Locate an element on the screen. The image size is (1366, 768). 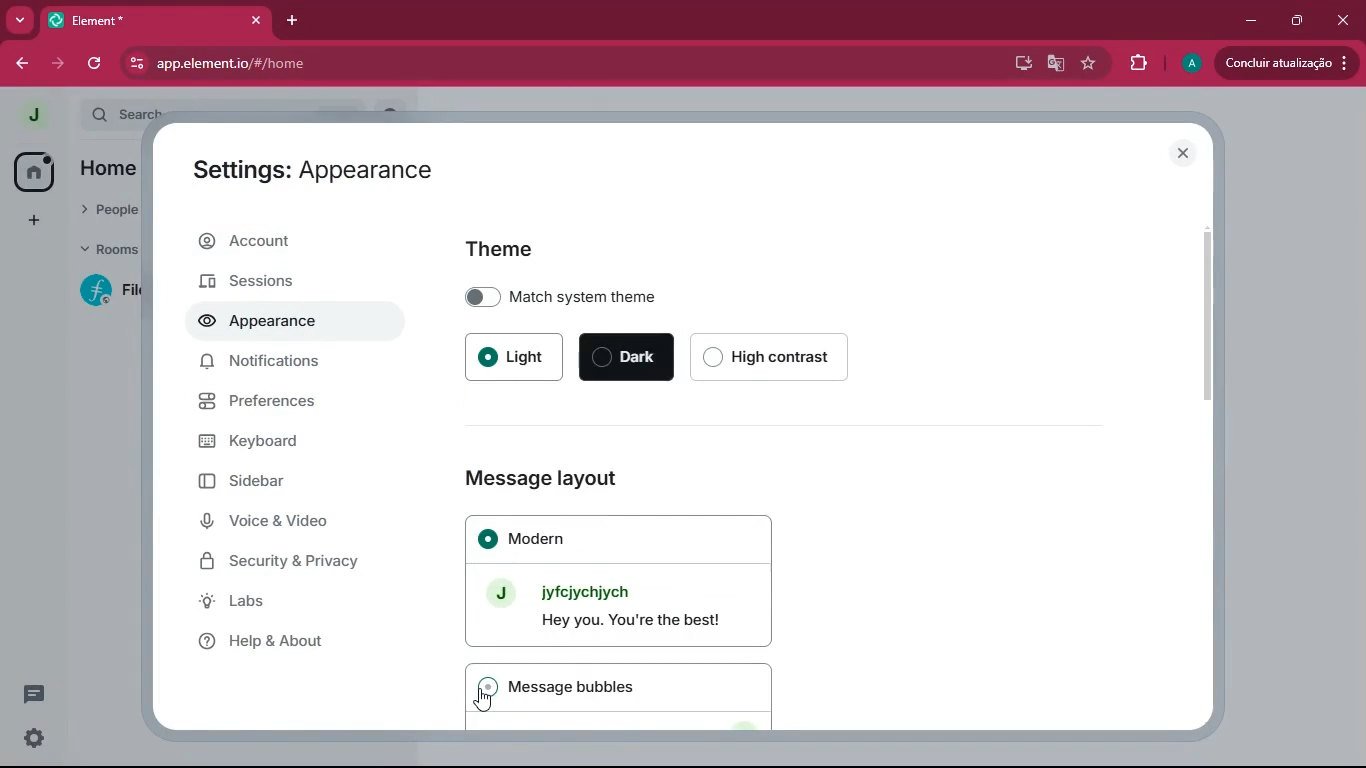
light is located at coordinates (514, 353).